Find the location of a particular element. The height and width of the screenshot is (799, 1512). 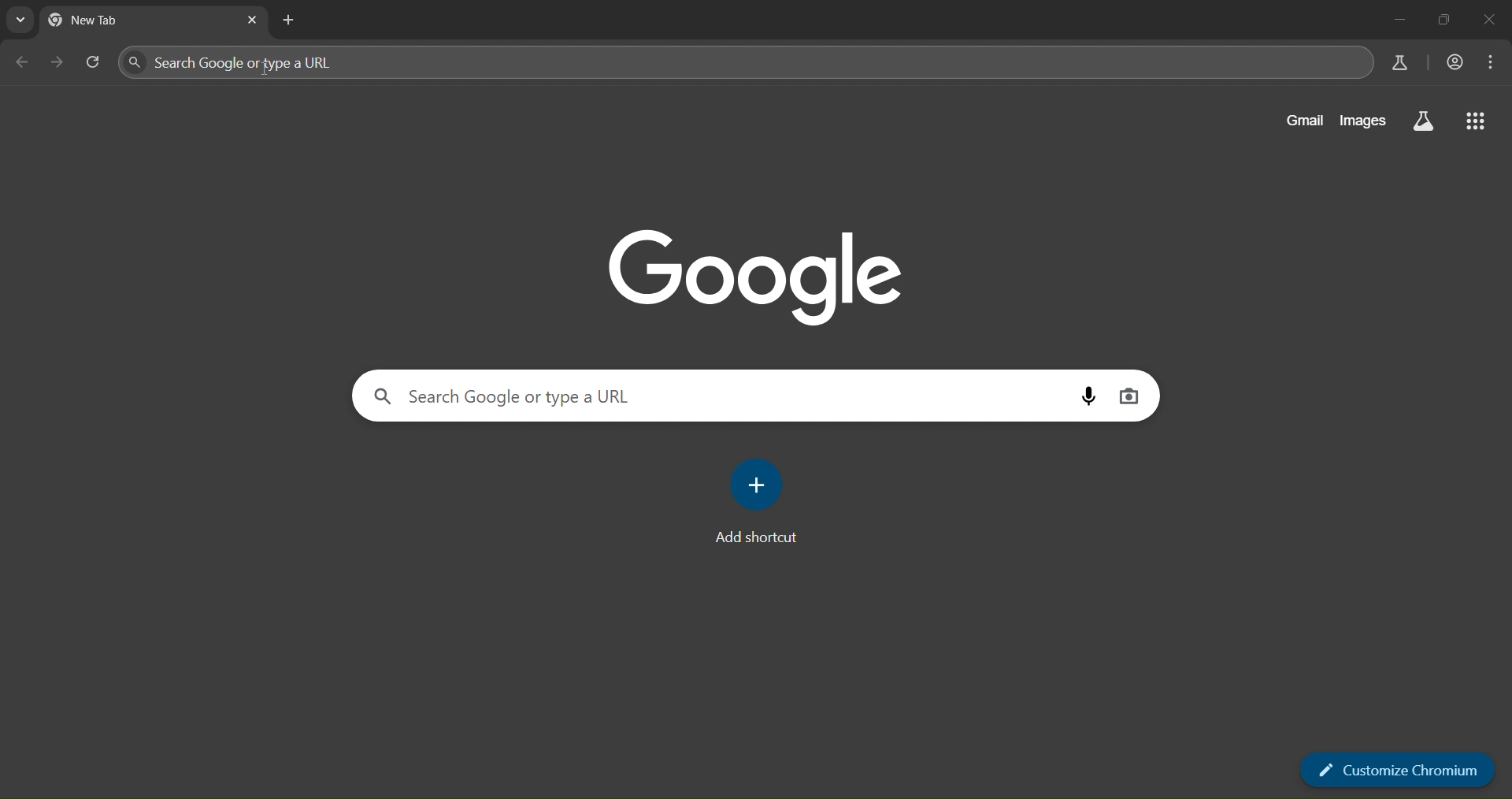

gmail is located at coordinates (1301, 119).